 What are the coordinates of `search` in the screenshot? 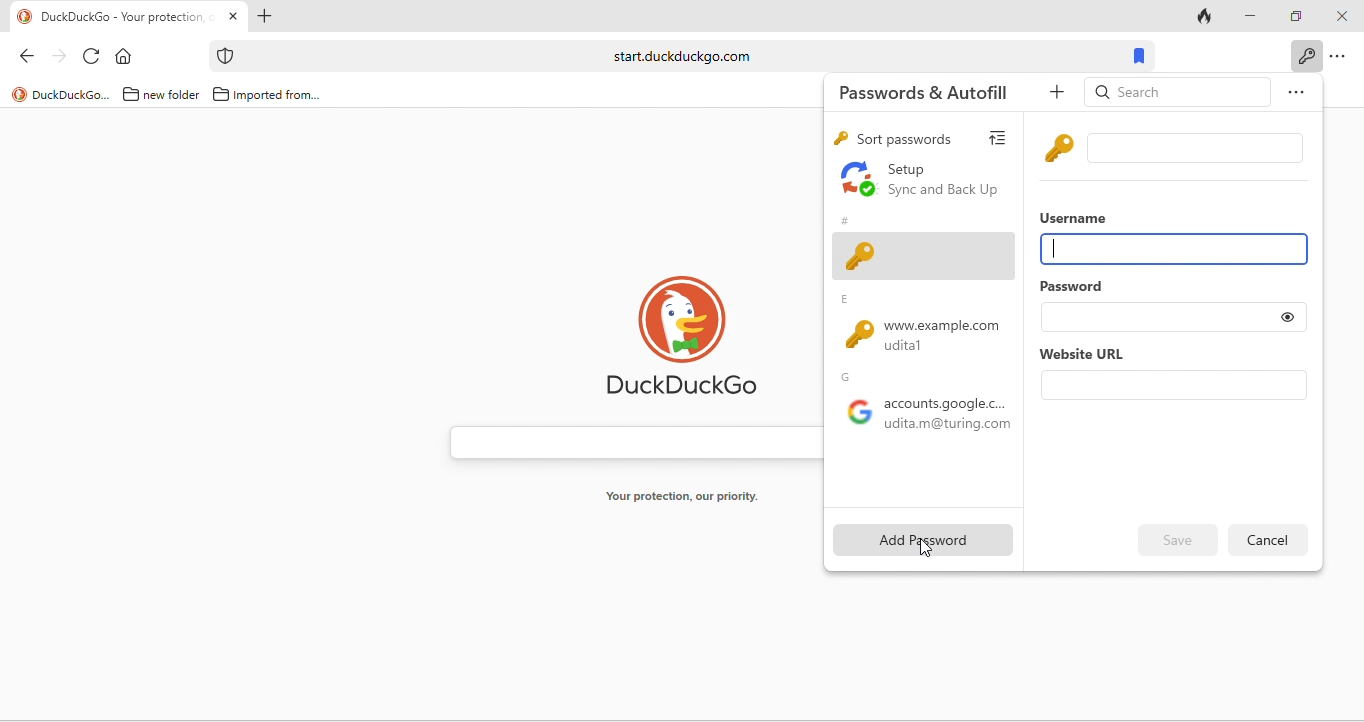 It's located at (1178, 94).